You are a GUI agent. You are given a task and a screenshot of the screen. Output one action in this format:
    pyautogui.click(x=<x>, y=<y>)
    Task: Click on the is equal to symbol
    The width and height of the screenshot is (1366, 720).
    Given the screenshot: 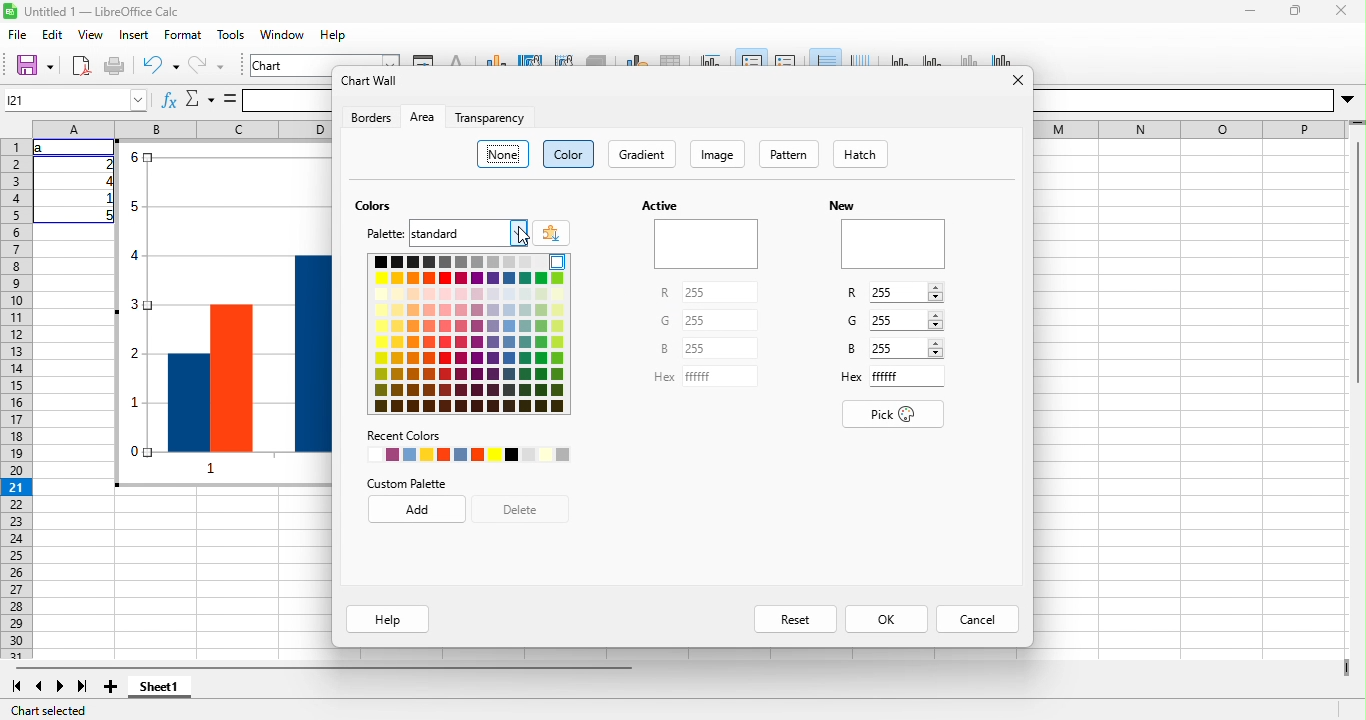 What is the action you would take?
    pyautogui.click(x=230, y=99)
    